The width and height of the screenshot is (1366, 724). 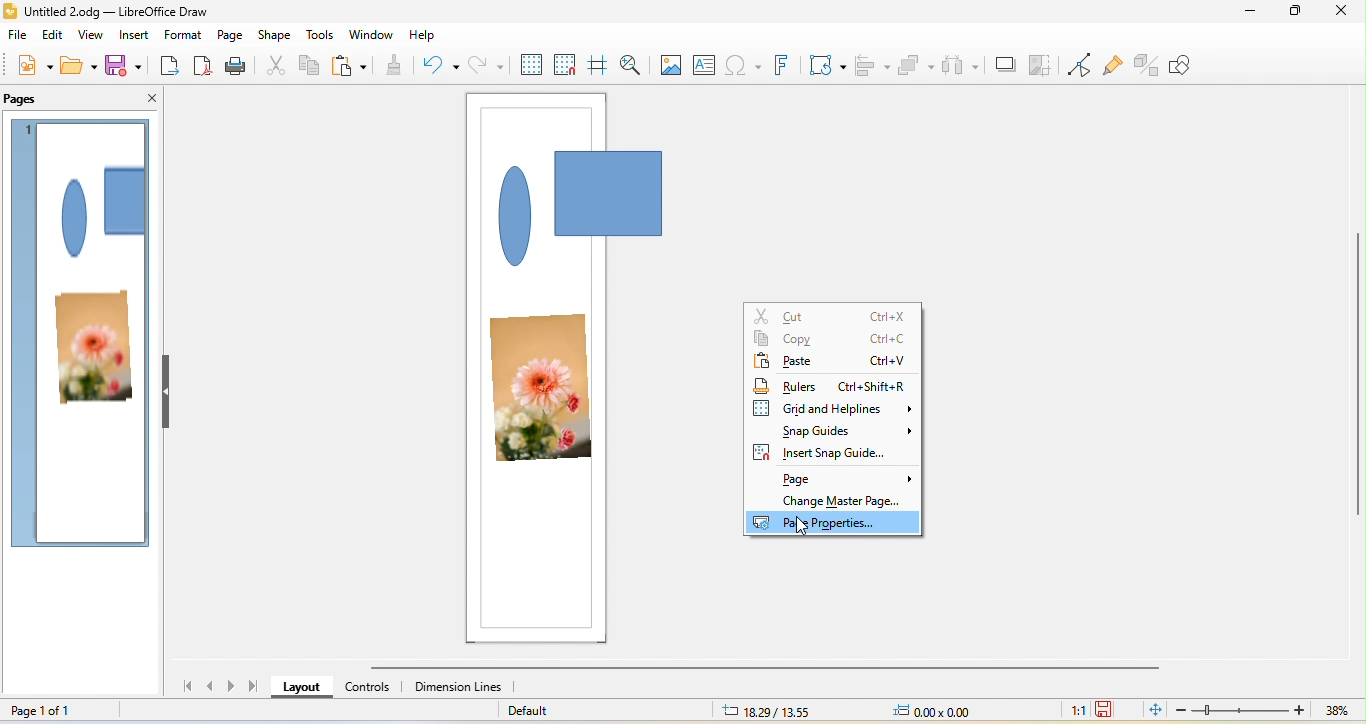 What do you see at coordinates (232, 687) in the screenshot?
I see `next page` at bounding box center [232, 687].